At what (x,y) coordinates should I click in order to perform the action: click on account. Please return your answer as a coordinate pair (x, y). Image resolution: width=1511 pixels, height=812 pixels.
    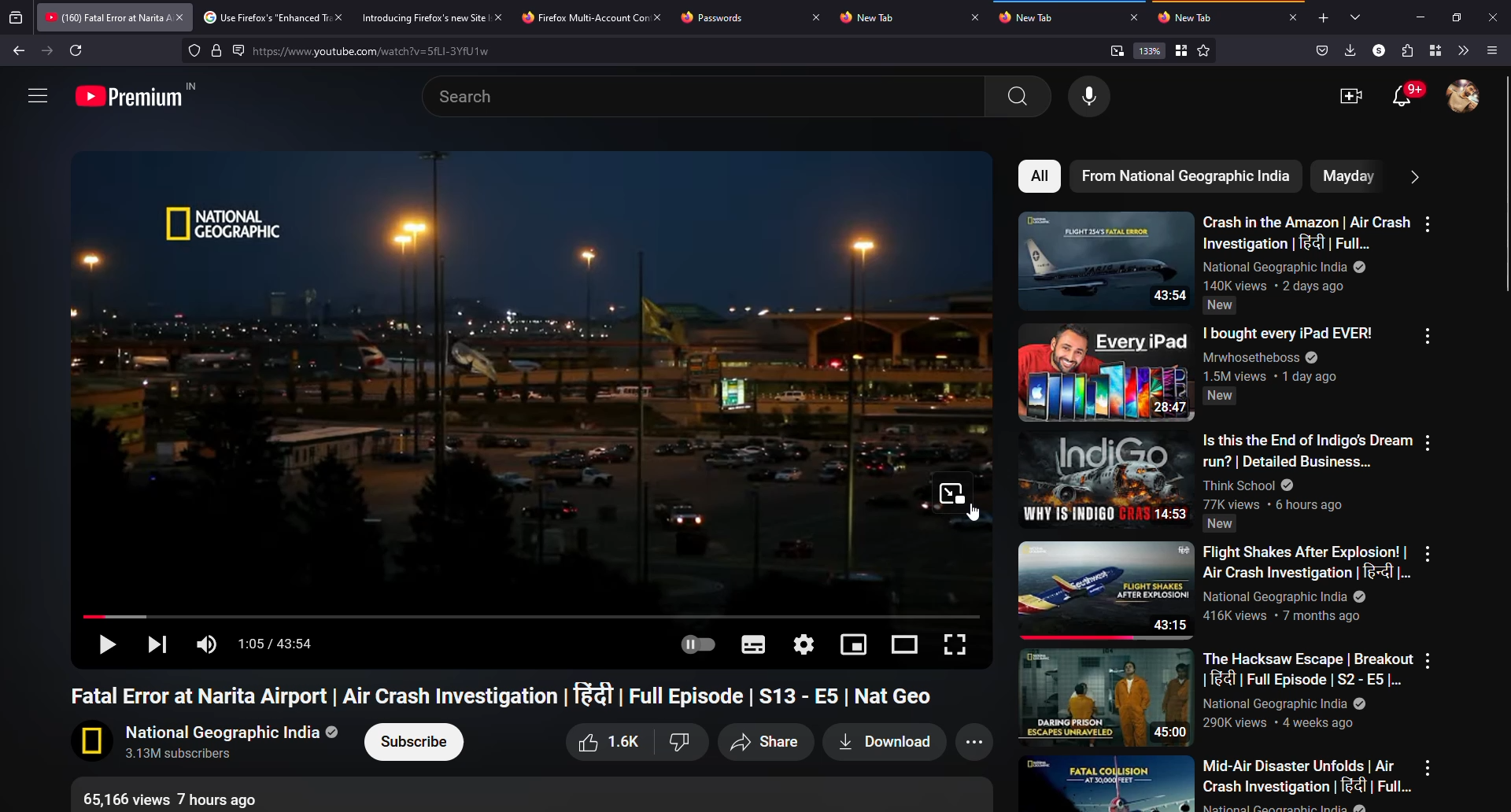
    Looking at the image, I should click on (1465, 98).